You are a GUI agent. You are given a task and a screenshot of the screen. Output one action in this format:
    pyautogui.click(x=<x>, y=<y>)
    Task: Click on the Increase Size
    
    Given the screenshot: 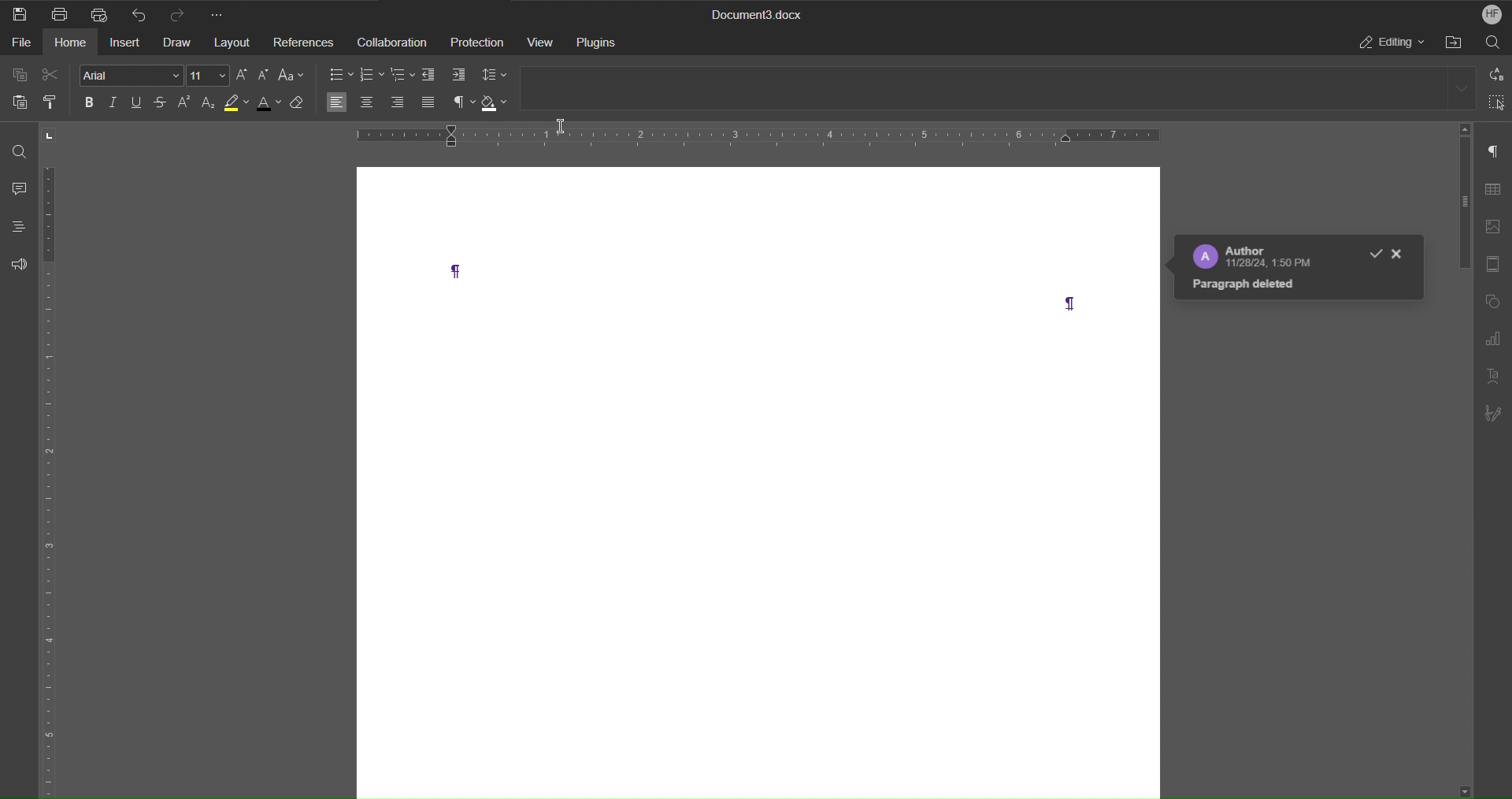 What is the action you would take?
    pyautogui.click(x=242, y=75)
    